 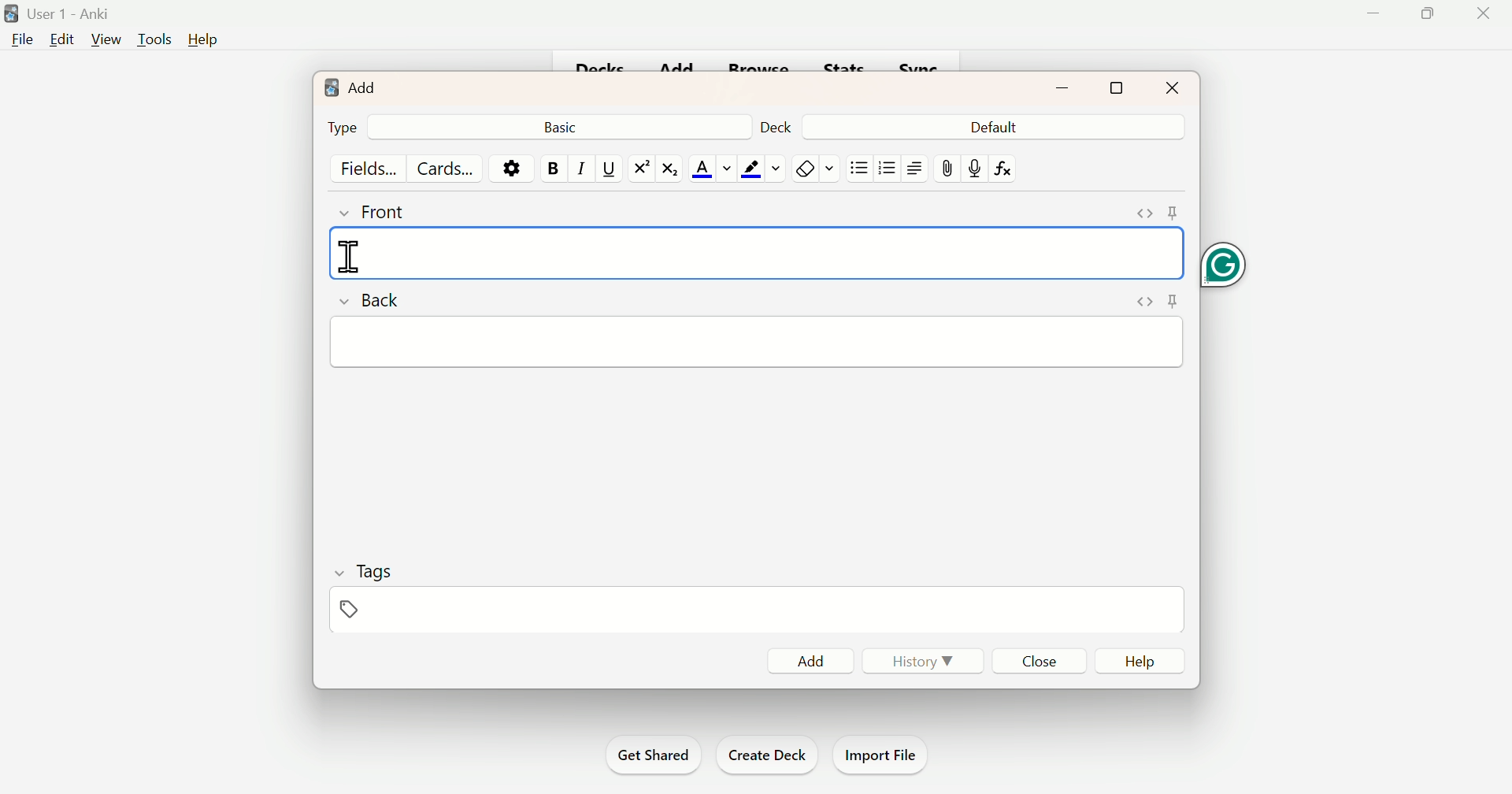 What do you see at coordinates (508, 169) in the screenshot?
I see `Options` at bounding box center [508, 169].